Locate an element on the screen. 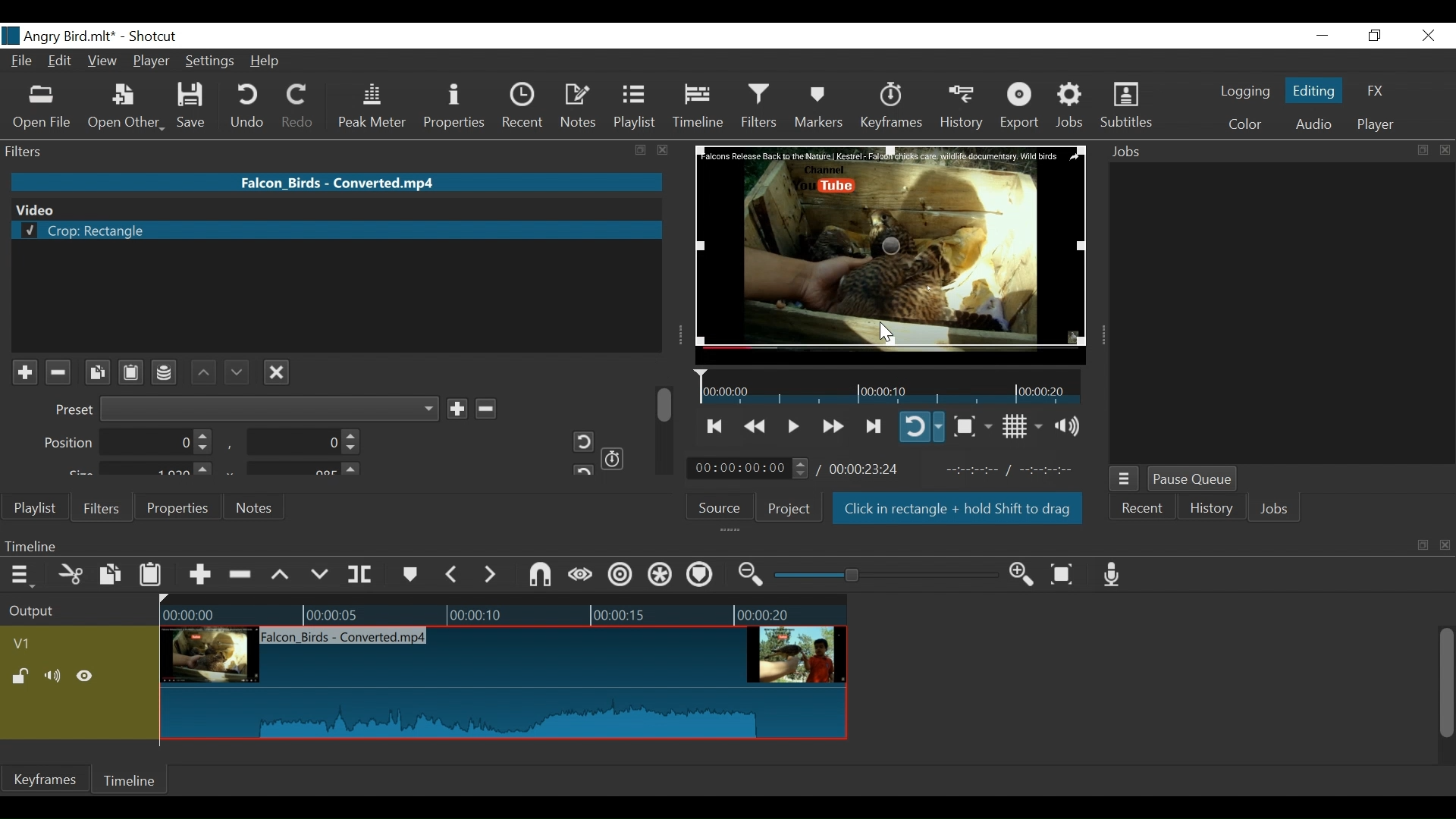 The image size is (1456, 819). Close is located at coordinates (277, 370).